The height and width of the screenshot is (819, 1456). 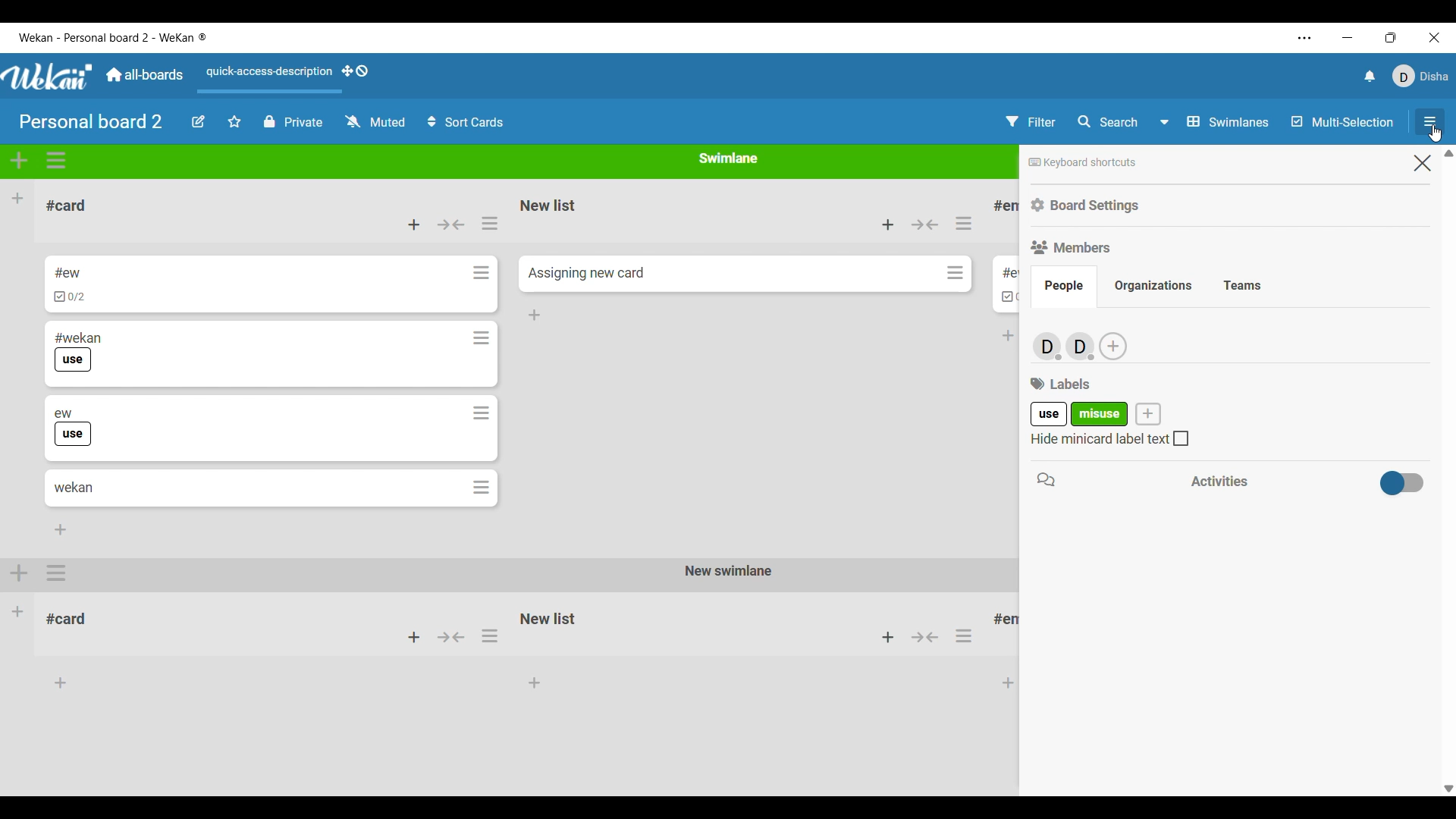 I want to click on More settings, so click(x=1304, y=39).